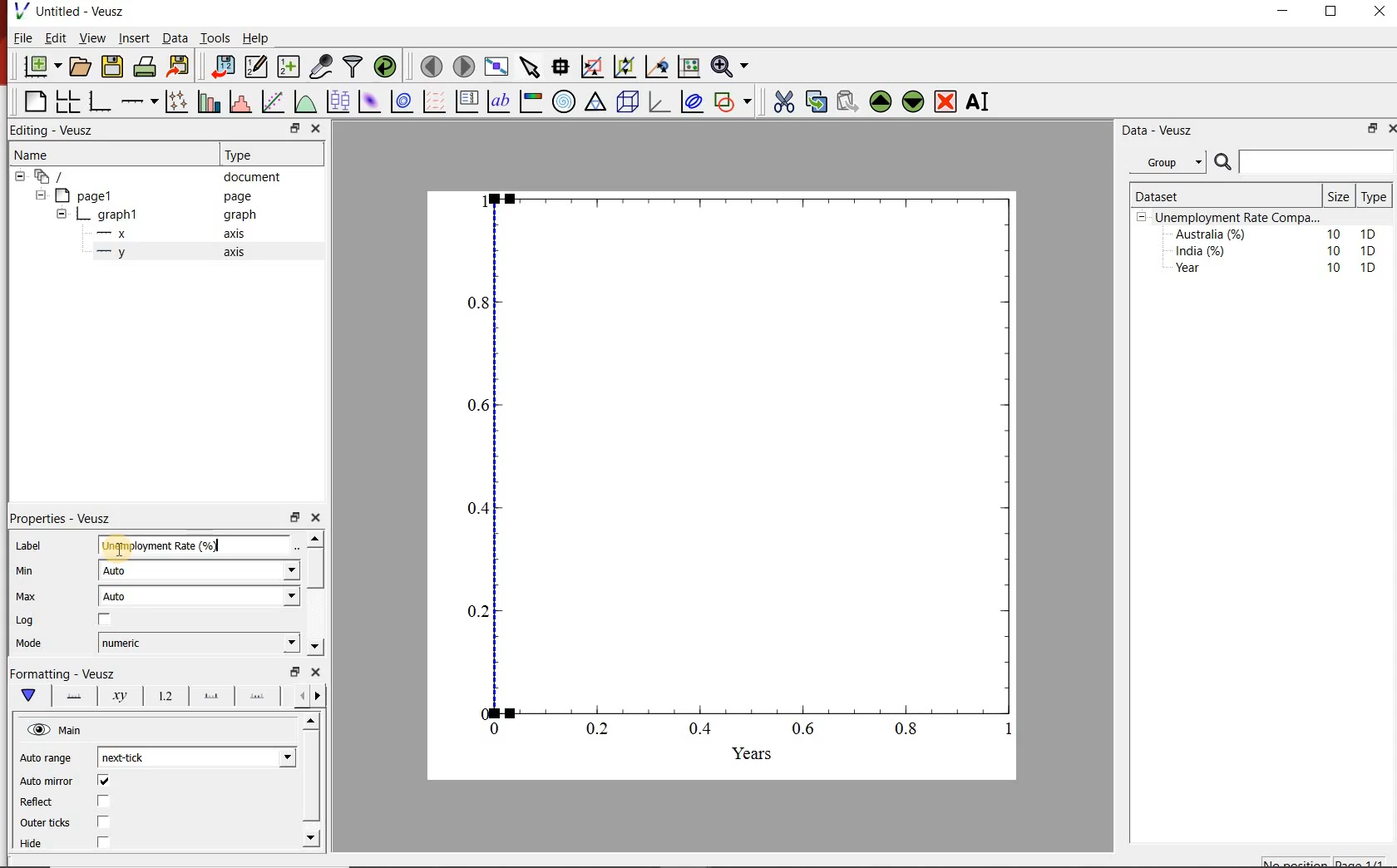  What do you see at coordinates (1302, 162) in the screenshot?
I see `search bar` at bounding box center [1302, 162].